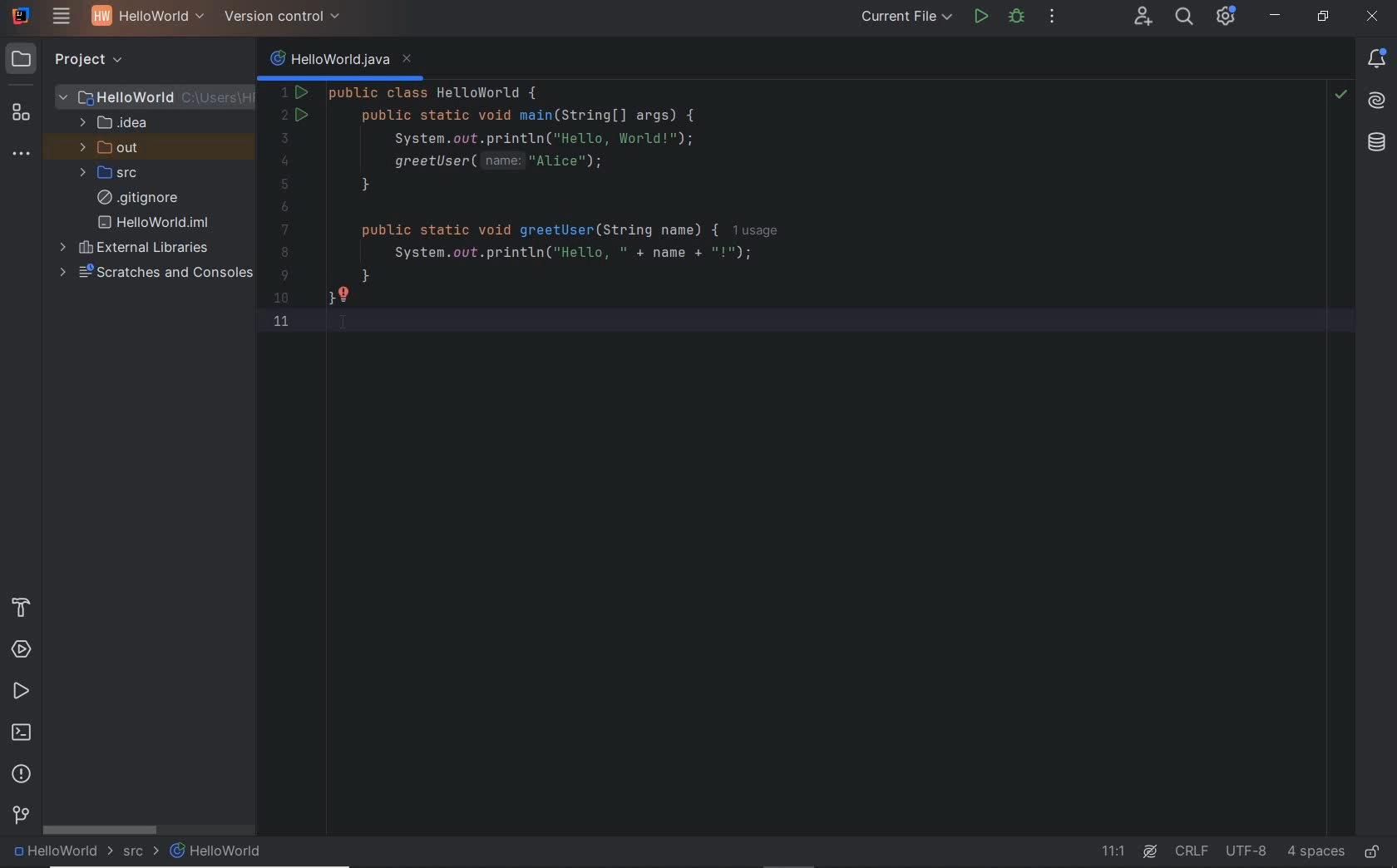  What do you see at coordinates (144, 18) in the screenshot?
I see `HelloWorld(Project name)` at bounding box center [144, 18].